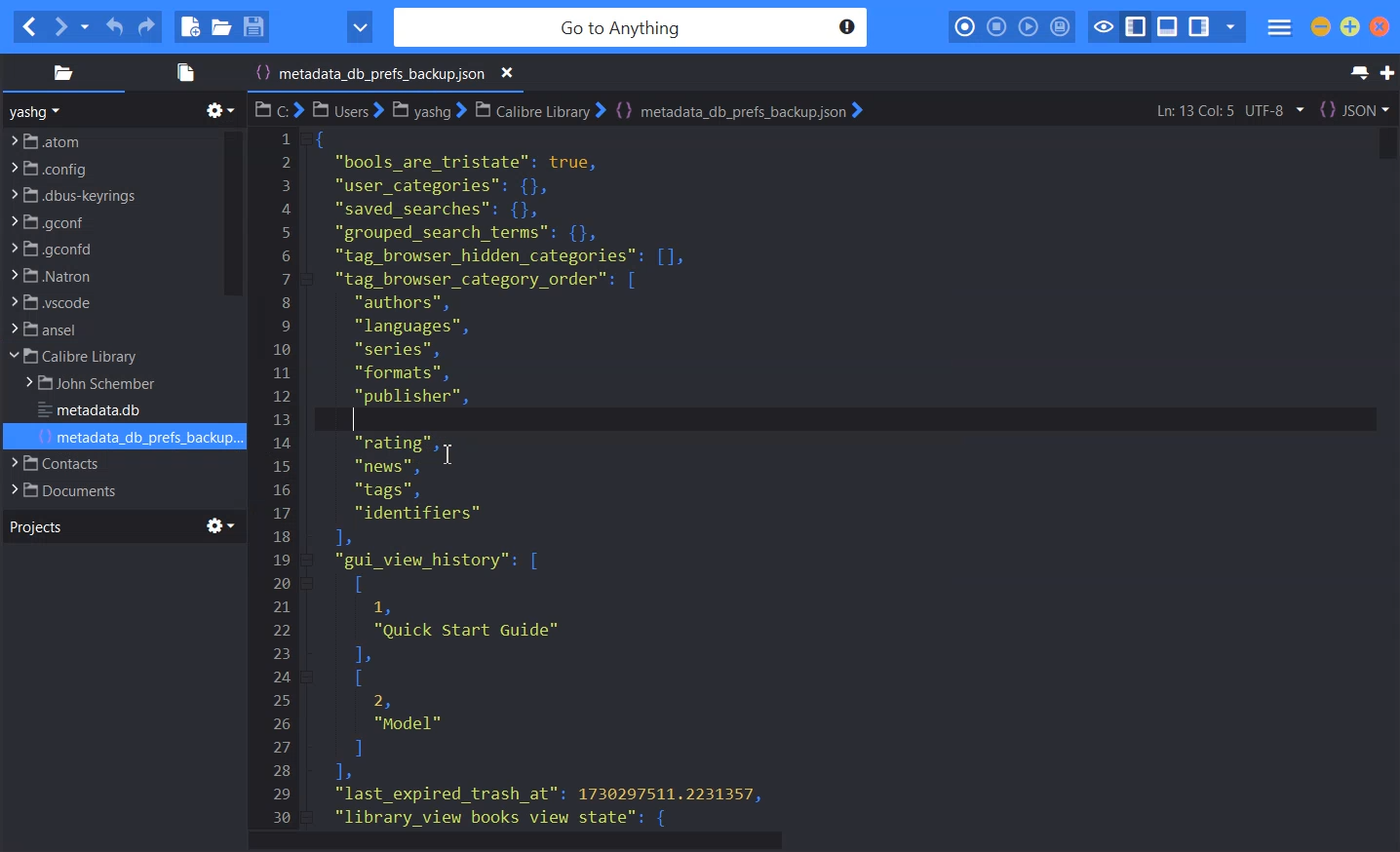 The height and width of the screenshot is (852, 1400). What do you see at coordinates (85, 27) in the screenshot?
I see `Recent location` at bounding box center [85, 27].